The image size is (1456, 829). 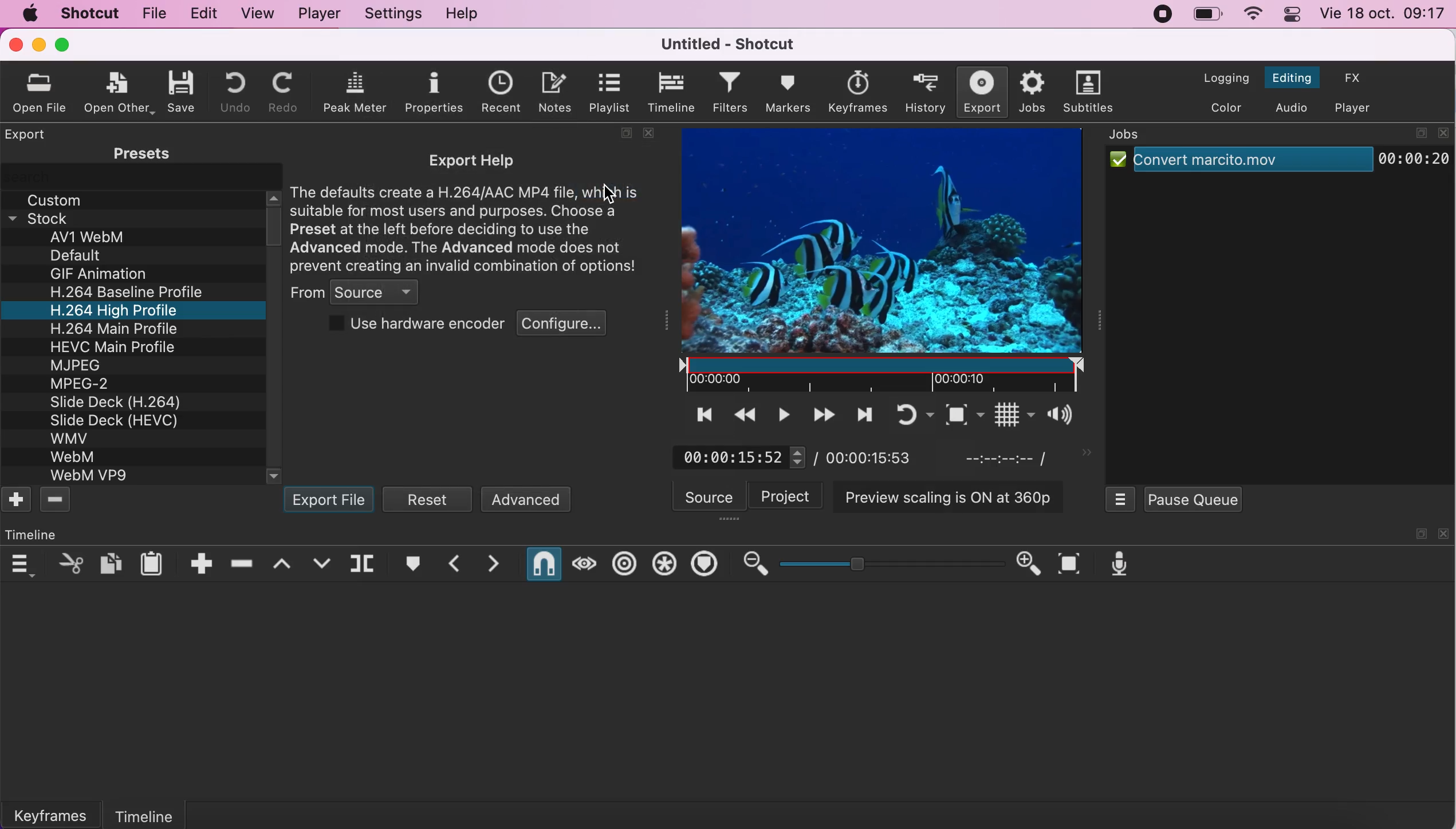 I want to click on zoom in, so click(x=1030, y=564).